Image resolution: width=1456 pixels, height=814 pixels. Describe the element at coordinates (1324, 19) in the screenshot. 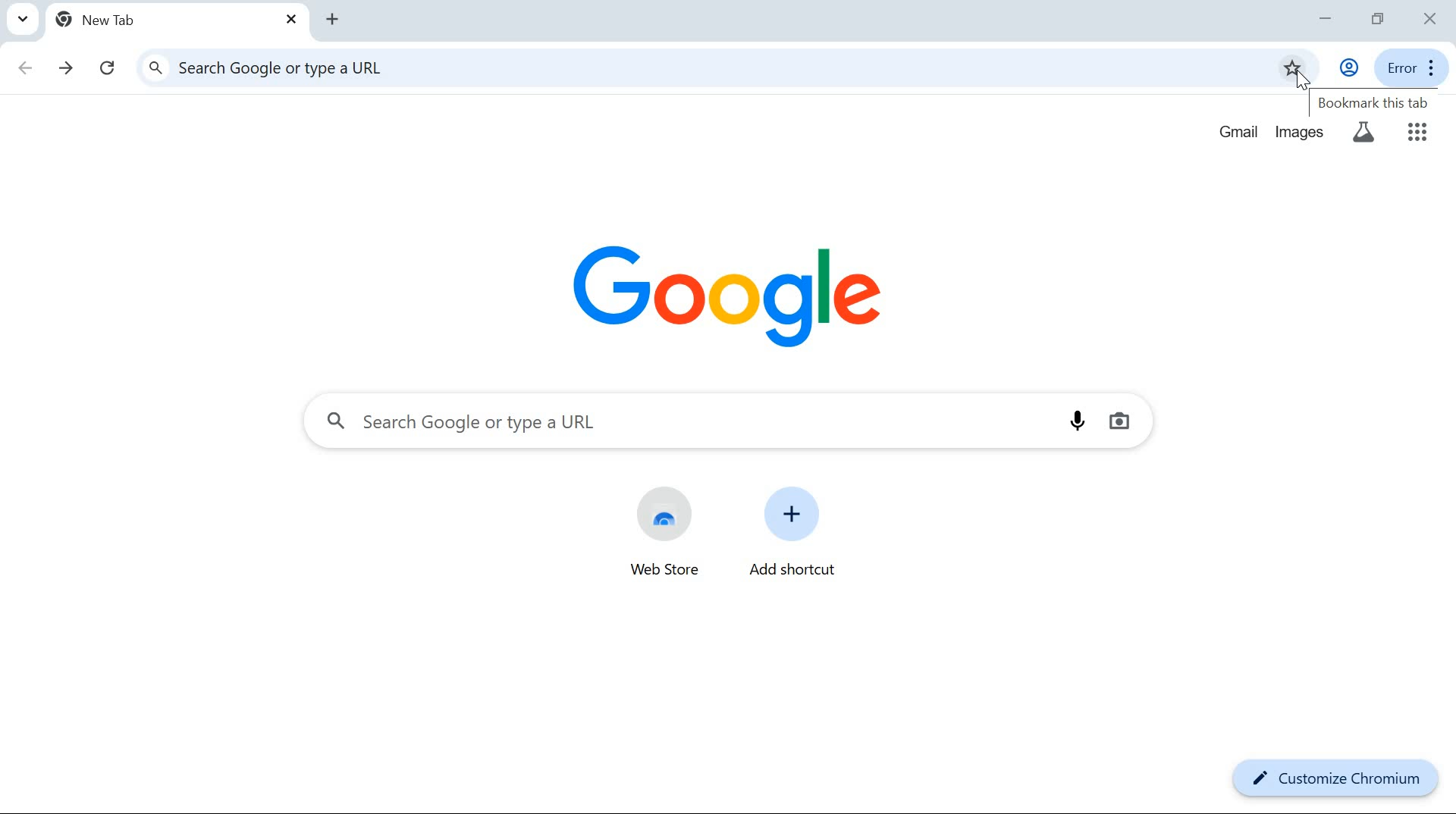

I see `minimize` at that location.